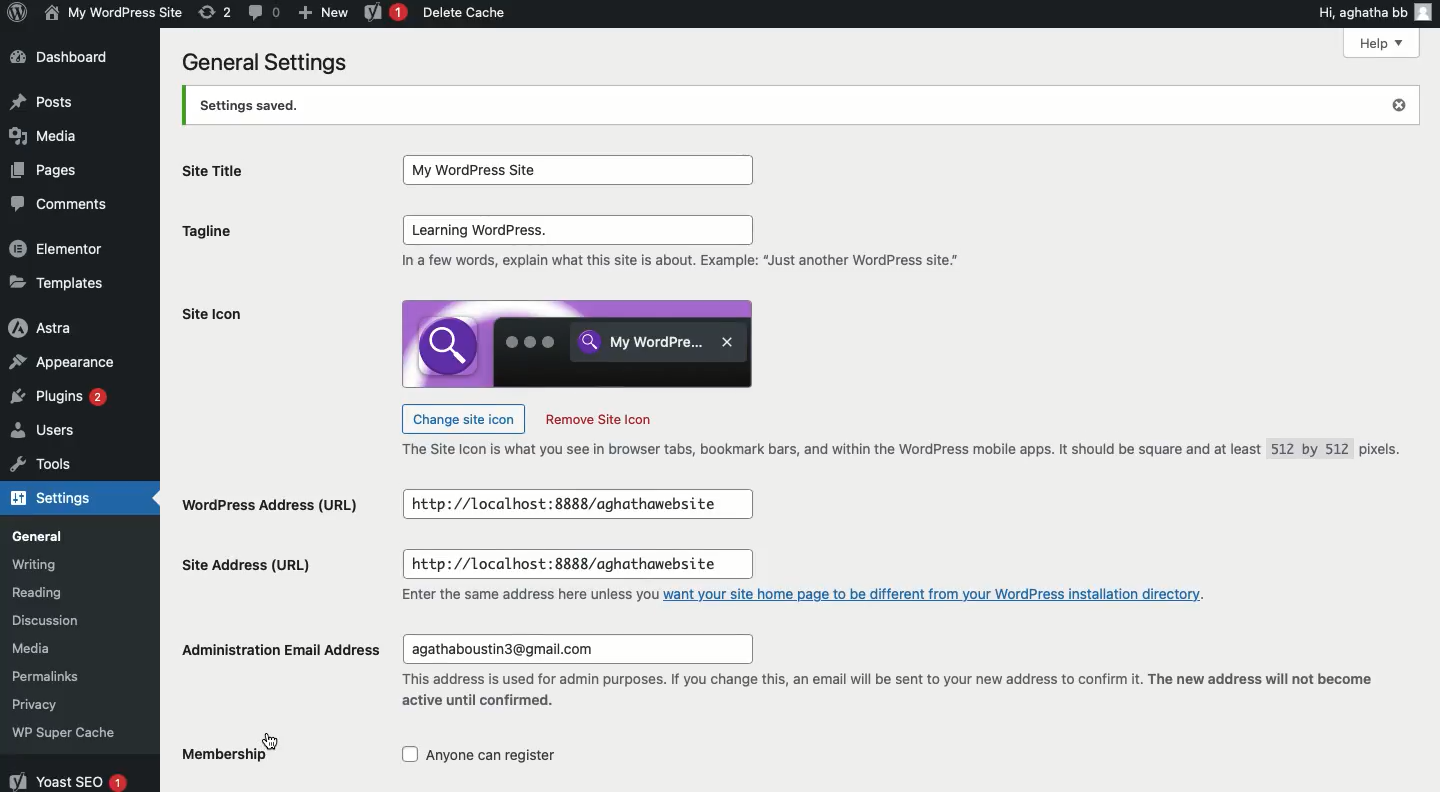 This screenshot has height=792, width=1440. Describe the element at coordinates (886, 695) in the screenshot. I see `‘This address Is used for admin purposes. If you change this, an email will be sent to your new address to confirm it. The new address will not become
active until confirmed.` at that location.